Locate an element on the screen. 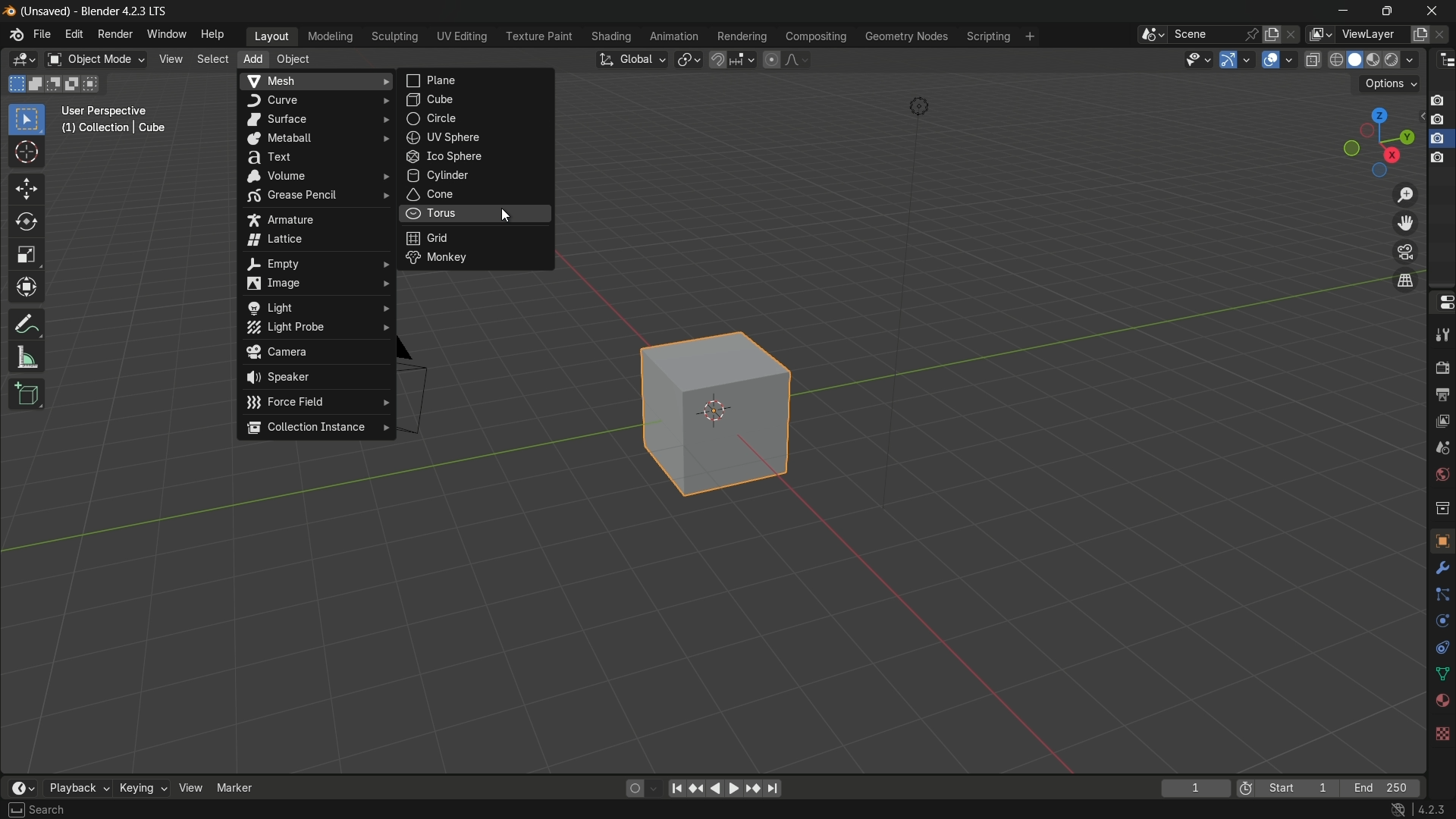  torus is located at coordinates (478, 215).